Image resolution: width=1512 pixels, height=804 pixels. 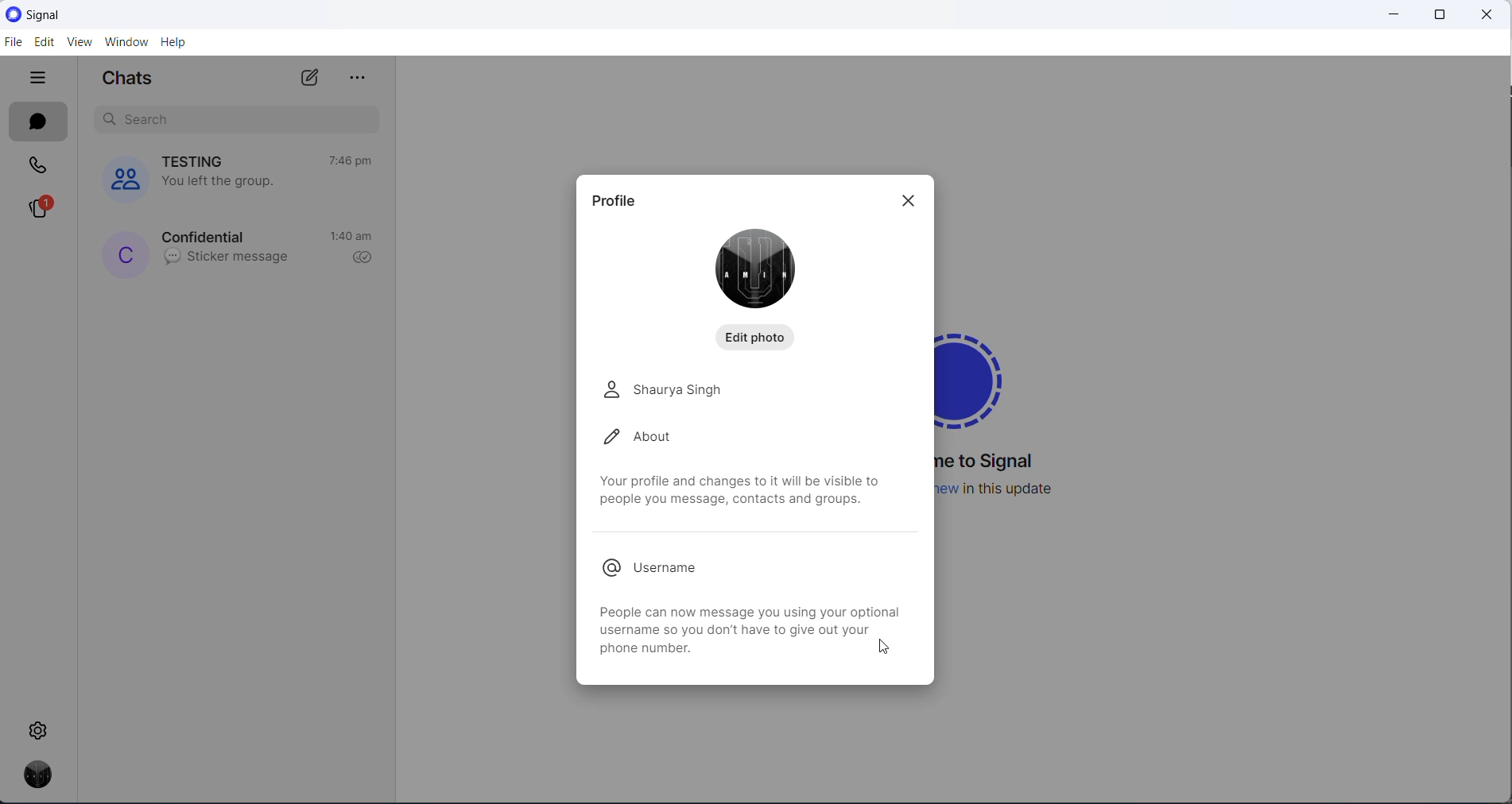 I want to click on minimize, so click(x=1387, y=14).